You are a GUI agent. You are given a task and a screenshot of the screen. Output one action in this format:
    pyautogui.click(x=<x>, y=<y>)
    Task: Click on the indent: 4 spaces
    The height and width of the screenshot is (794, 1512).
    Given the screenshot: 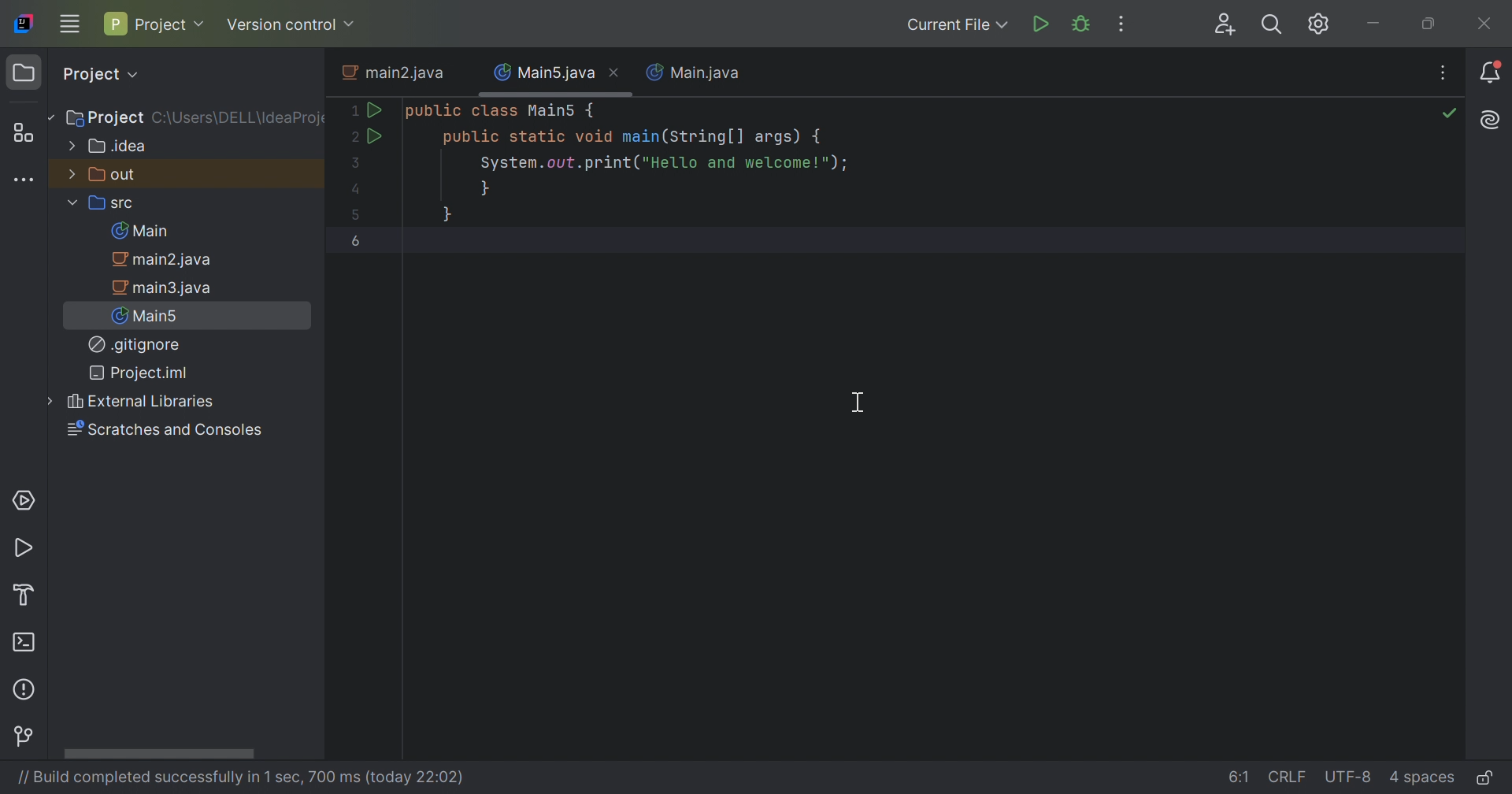 What is the action you would take?
    pyautogui.click(x=1422, y=780)
    